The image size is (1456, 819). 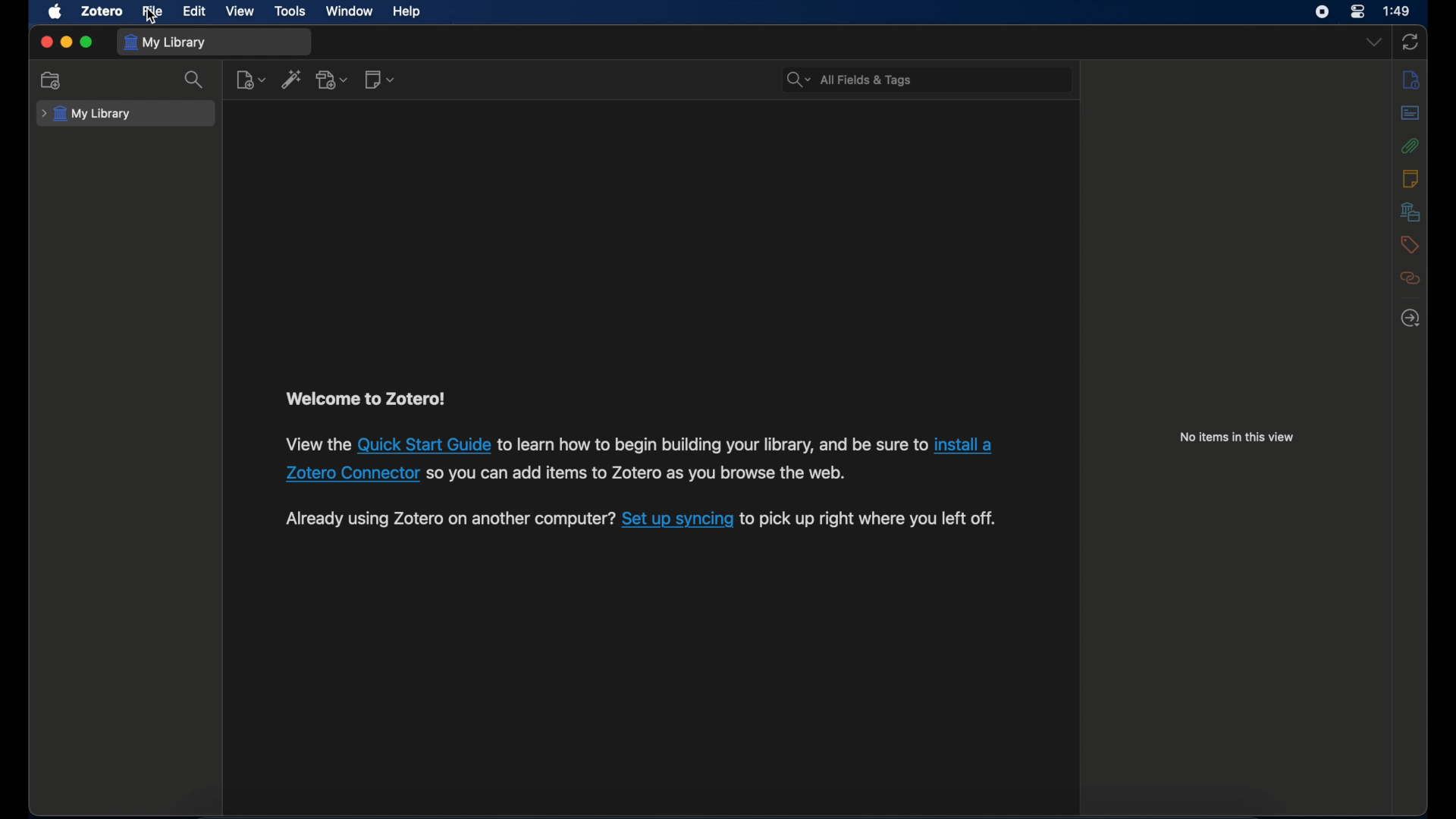 I want to click on dropdown, so click(x=1375, y=42).